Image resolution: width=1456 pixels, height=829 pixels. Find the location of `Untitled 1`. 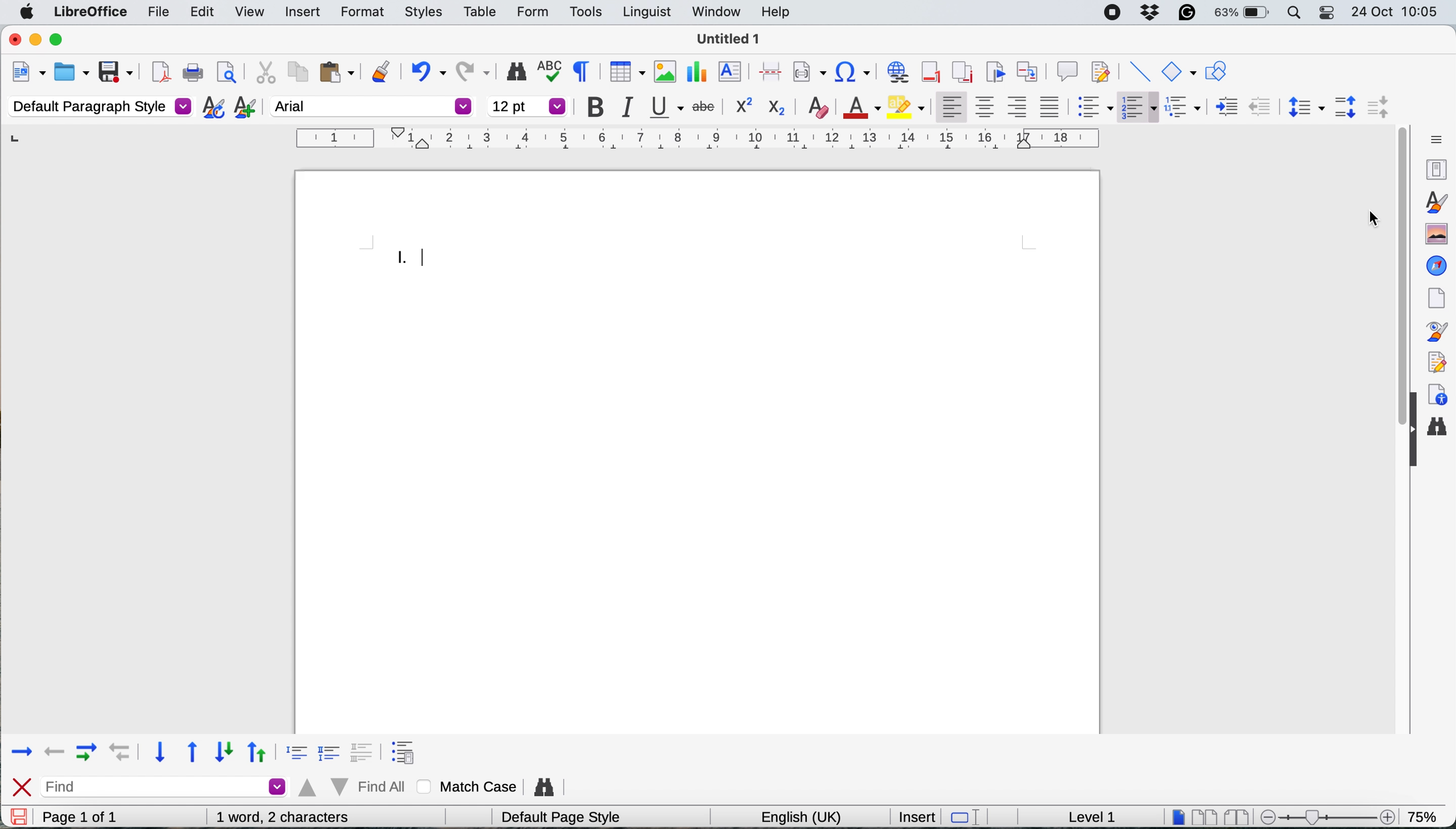

Untitled 1 is located at coordinates (728, 39).